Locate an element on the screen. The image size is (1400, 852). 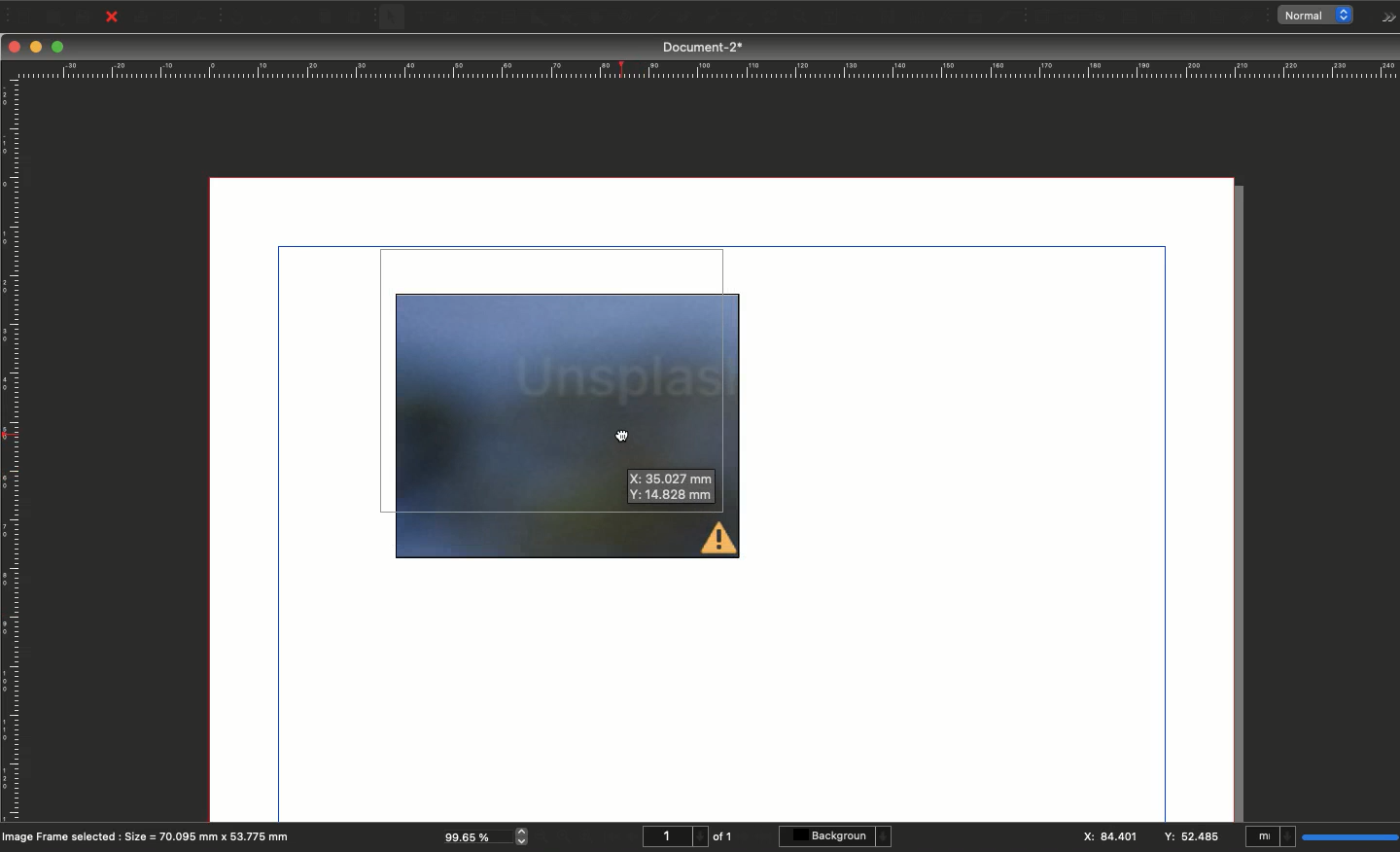
Options is located at coordinates (1384, 18).